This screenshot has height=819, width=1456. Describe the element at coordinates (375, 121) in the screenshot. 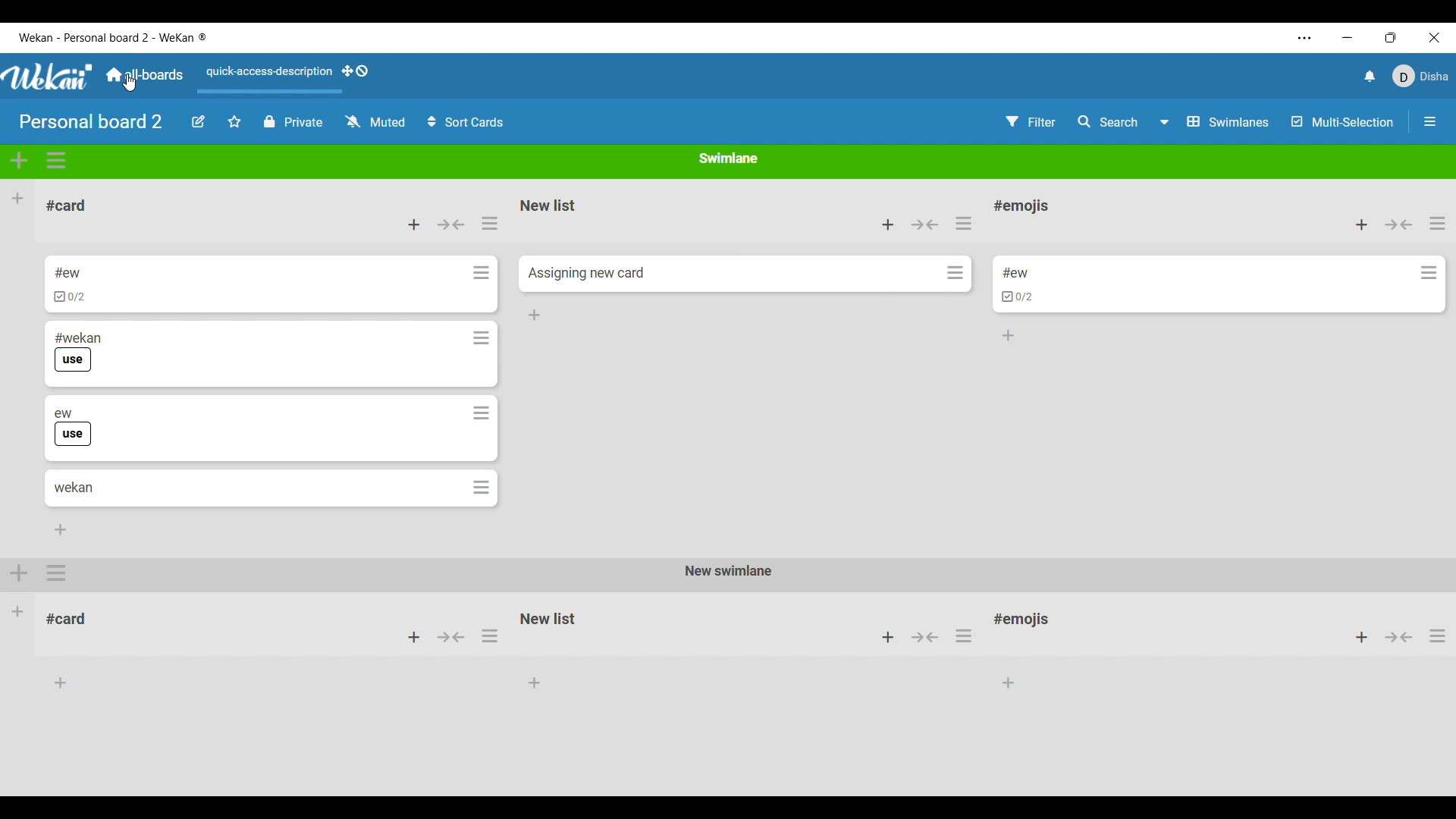

I see `Change watch` at that location.